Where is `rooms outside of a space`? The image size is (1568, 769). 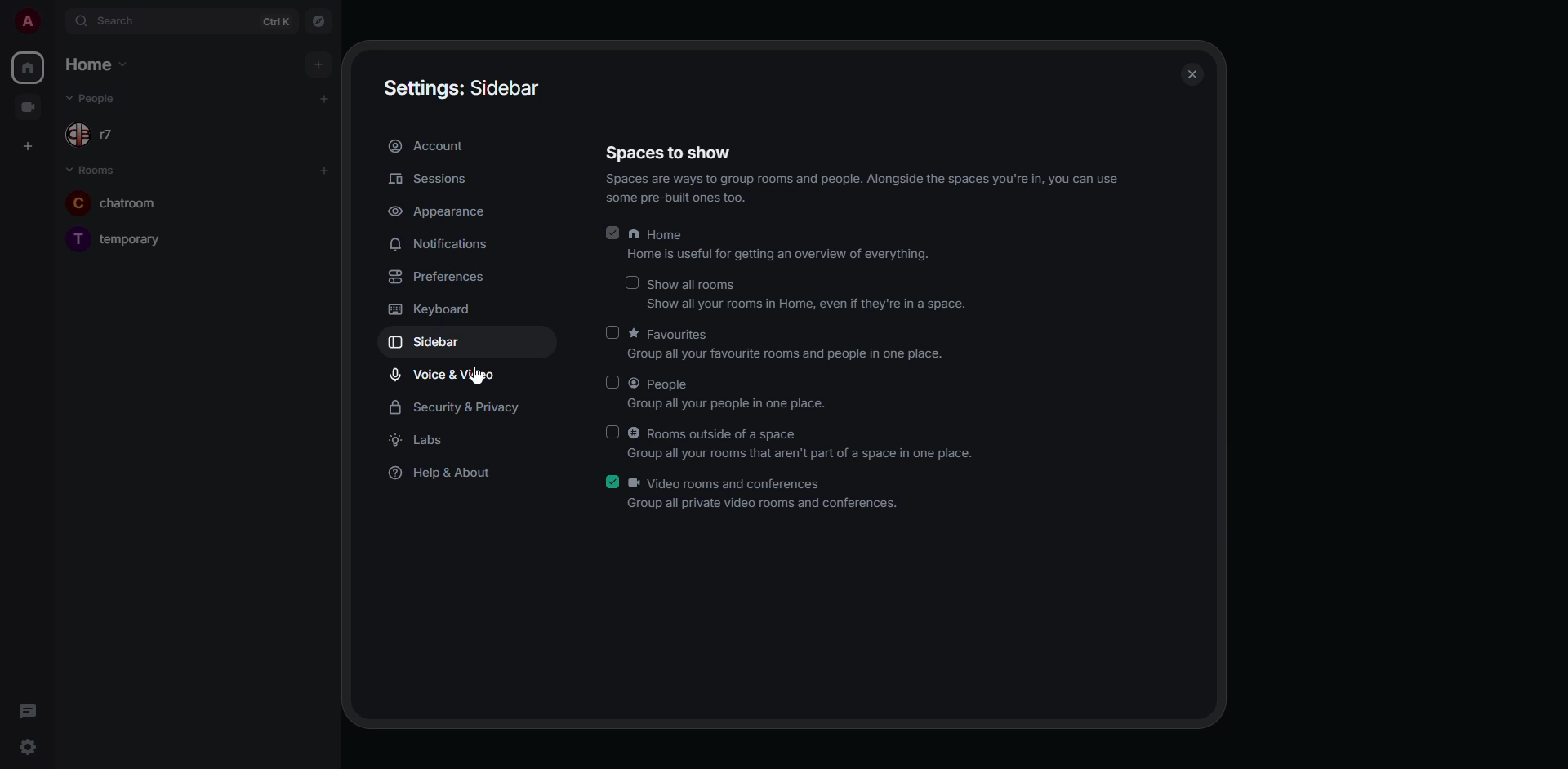
rooms outside of a space is located at coordinates (801, 444).